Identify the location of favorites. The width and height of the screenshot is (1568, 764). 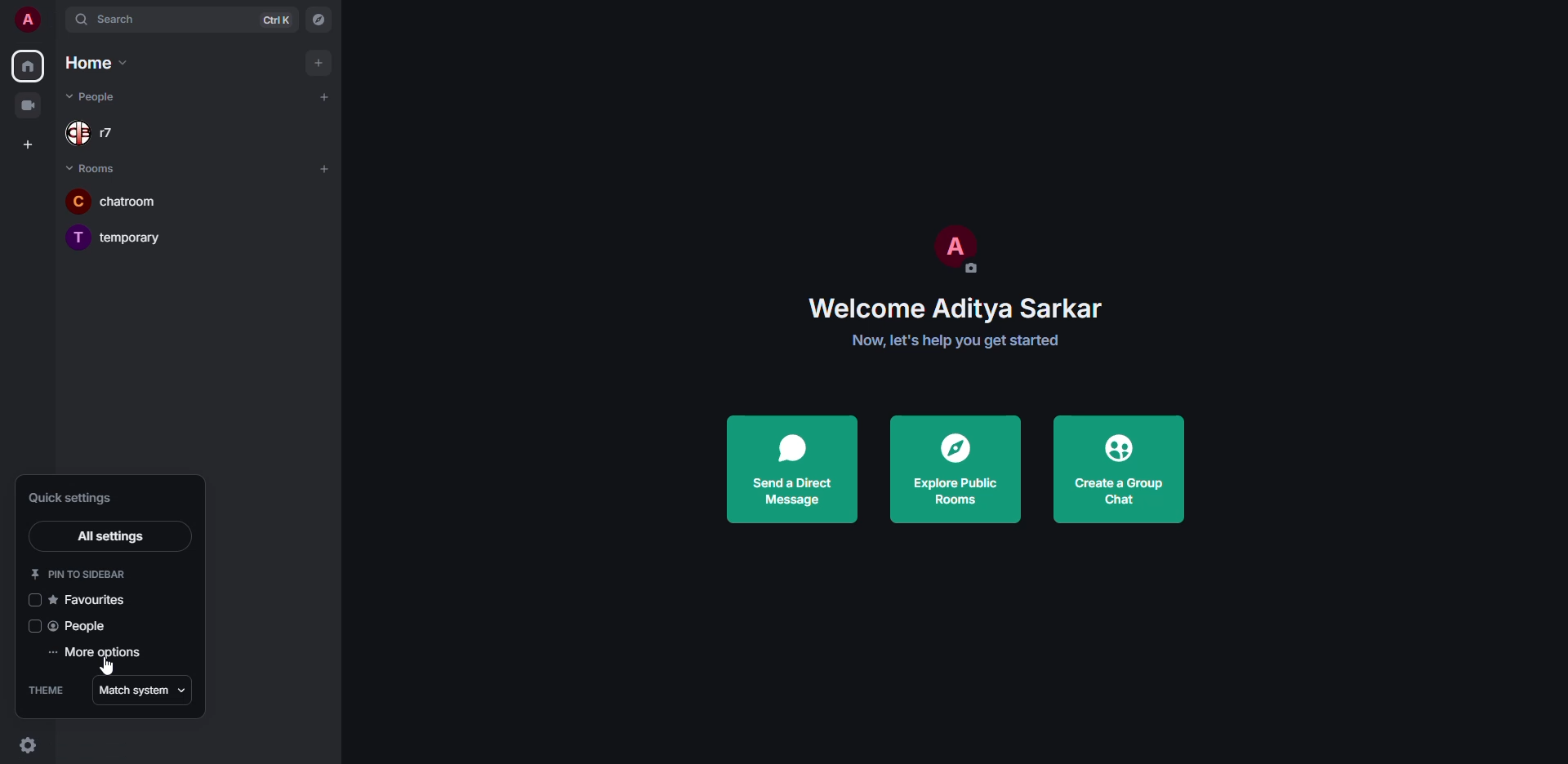
(91, 600).